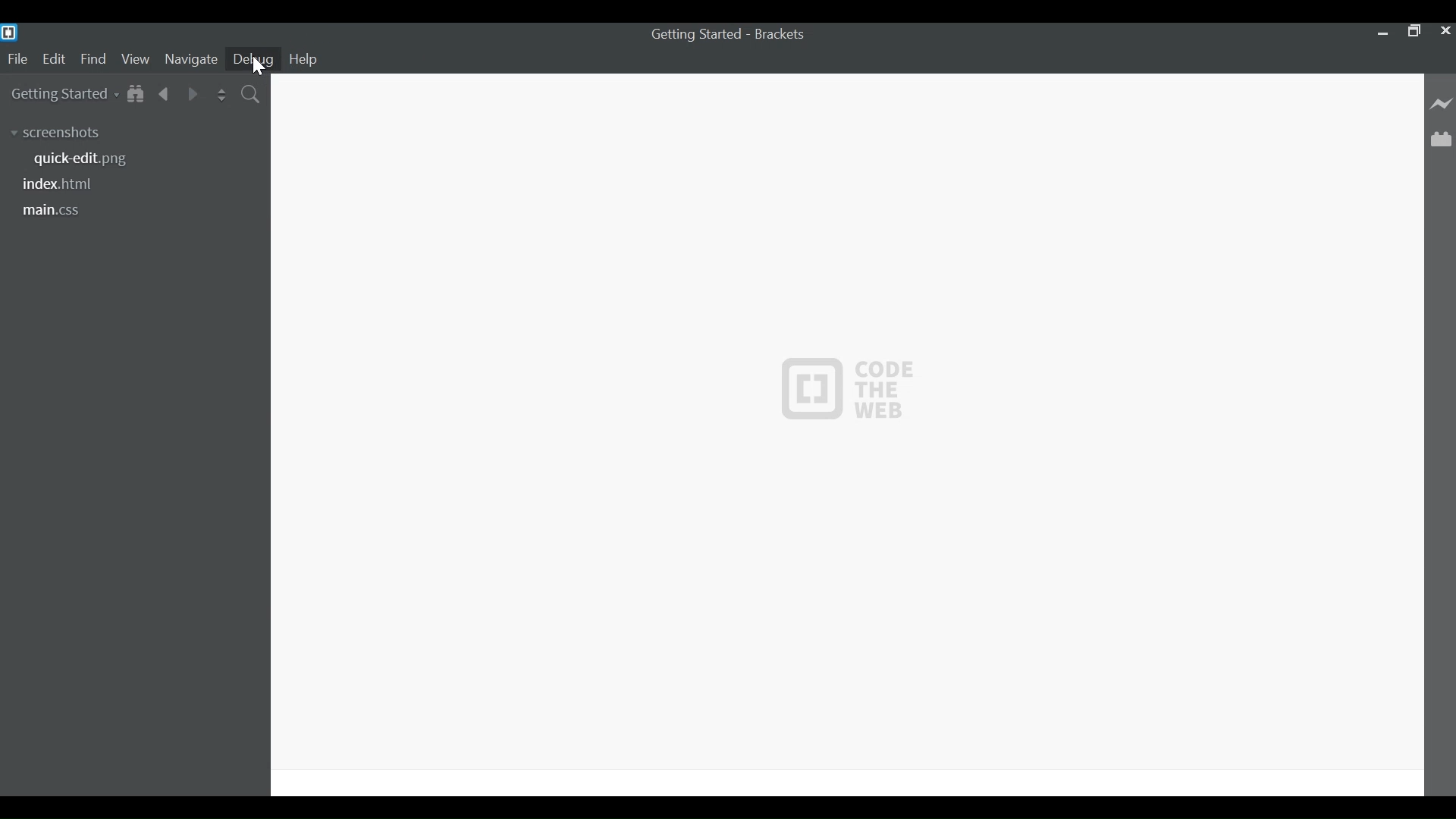  I want to click on Getting Started - Brackets, so click(736, 35).